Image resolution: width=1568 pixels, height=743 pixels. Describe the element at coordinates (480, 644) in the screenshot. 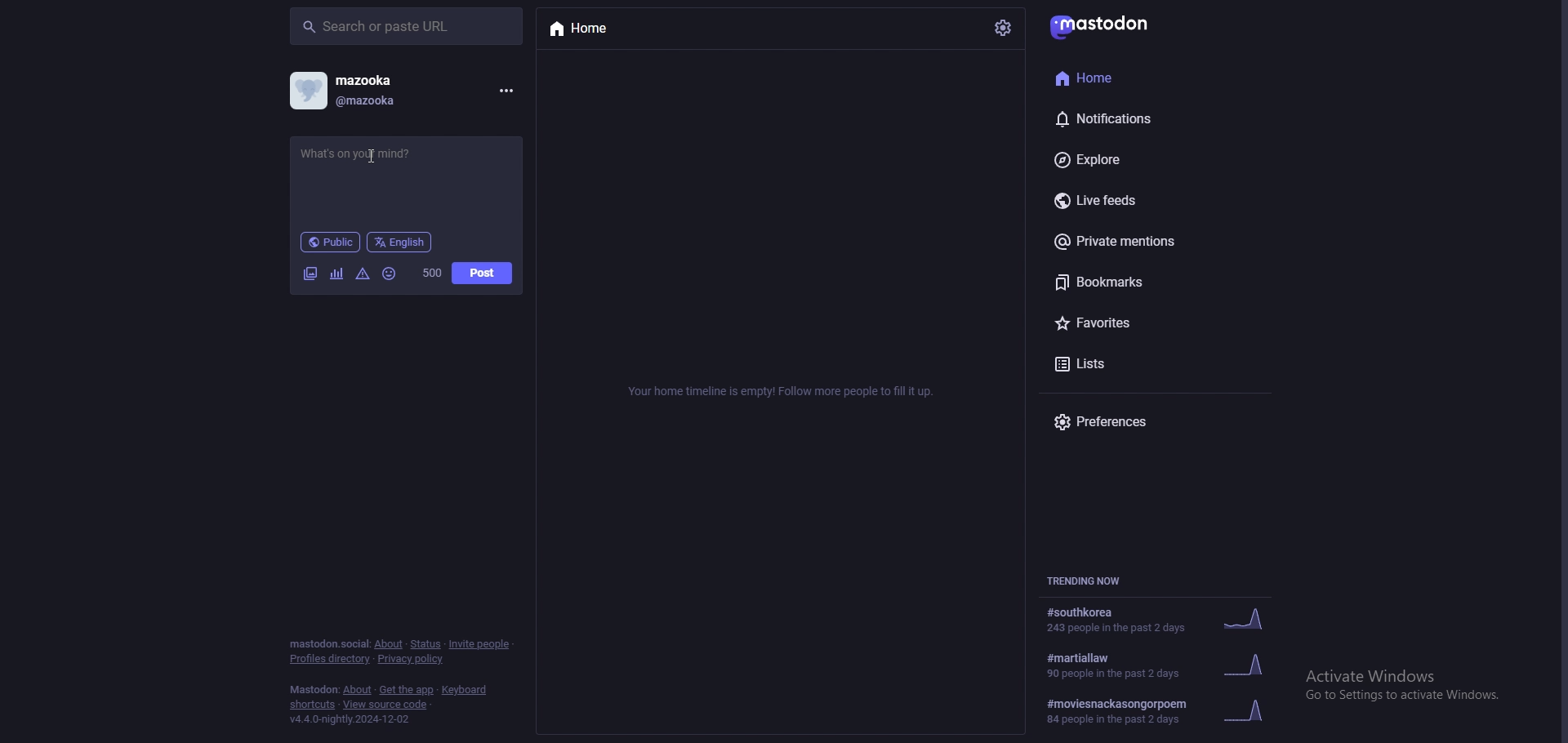

I see `invite people` at that location.